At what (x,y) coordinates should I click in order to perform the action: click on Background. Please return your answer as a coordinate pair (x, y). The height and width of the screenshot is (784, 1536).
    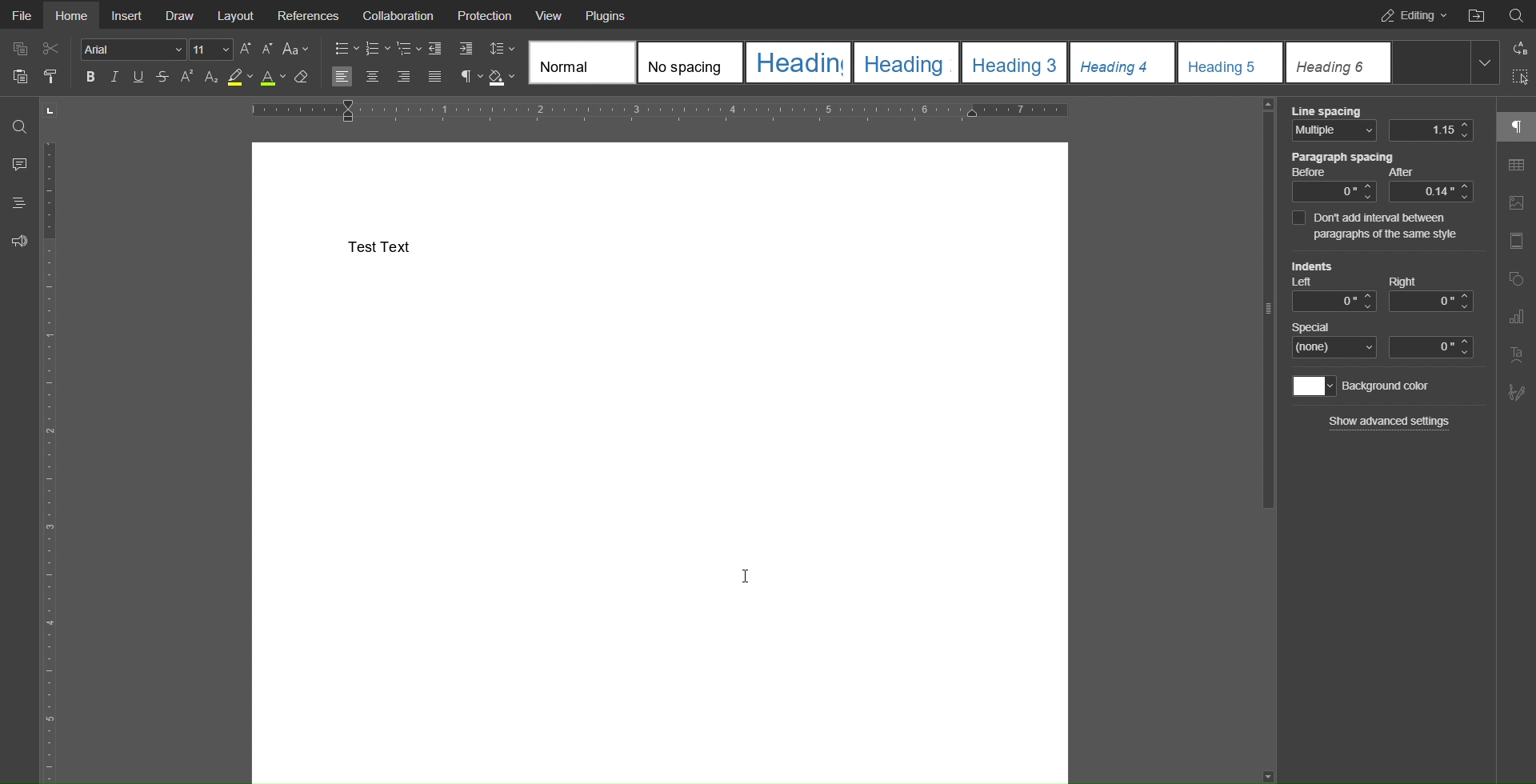
    Looking at the image, I should click on (1364, 386).